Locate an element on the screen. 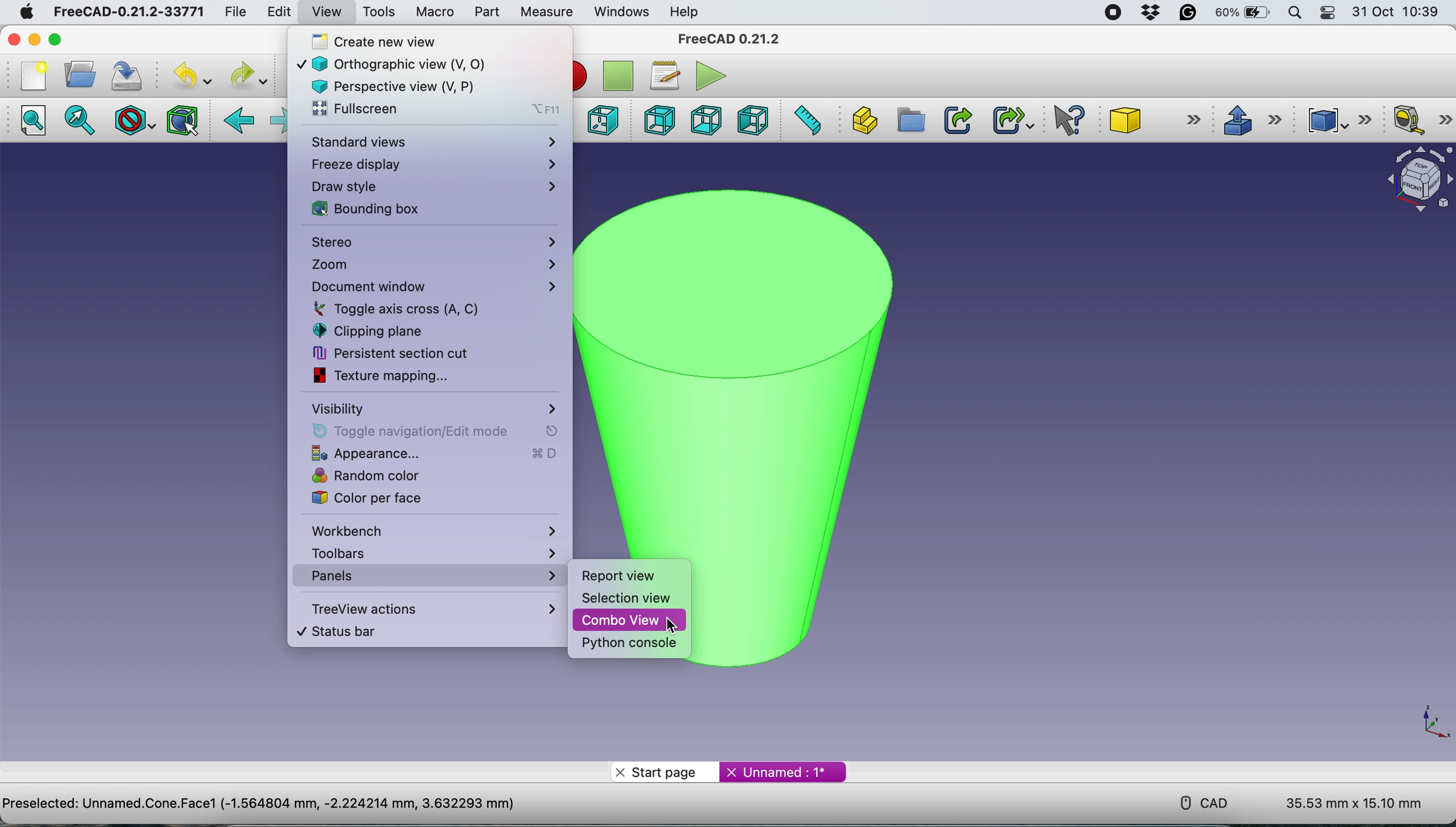 Image resolution: width=1456 pixels, height=827 pixels. screen recorder is located at coordinates (1109, 12).